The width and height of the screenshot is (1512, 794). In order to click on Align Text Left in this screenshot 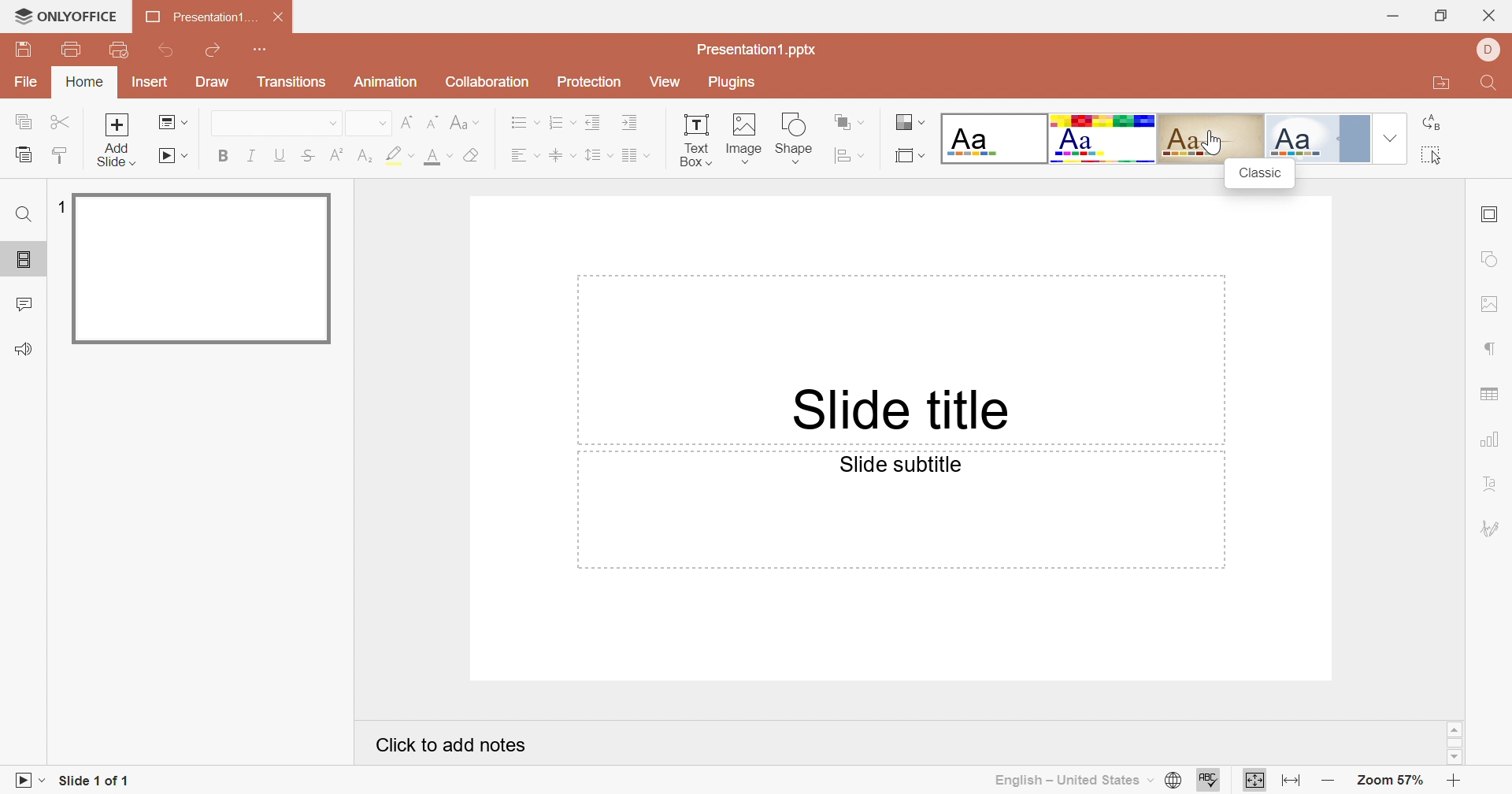, I will do `click(518, 155)`.